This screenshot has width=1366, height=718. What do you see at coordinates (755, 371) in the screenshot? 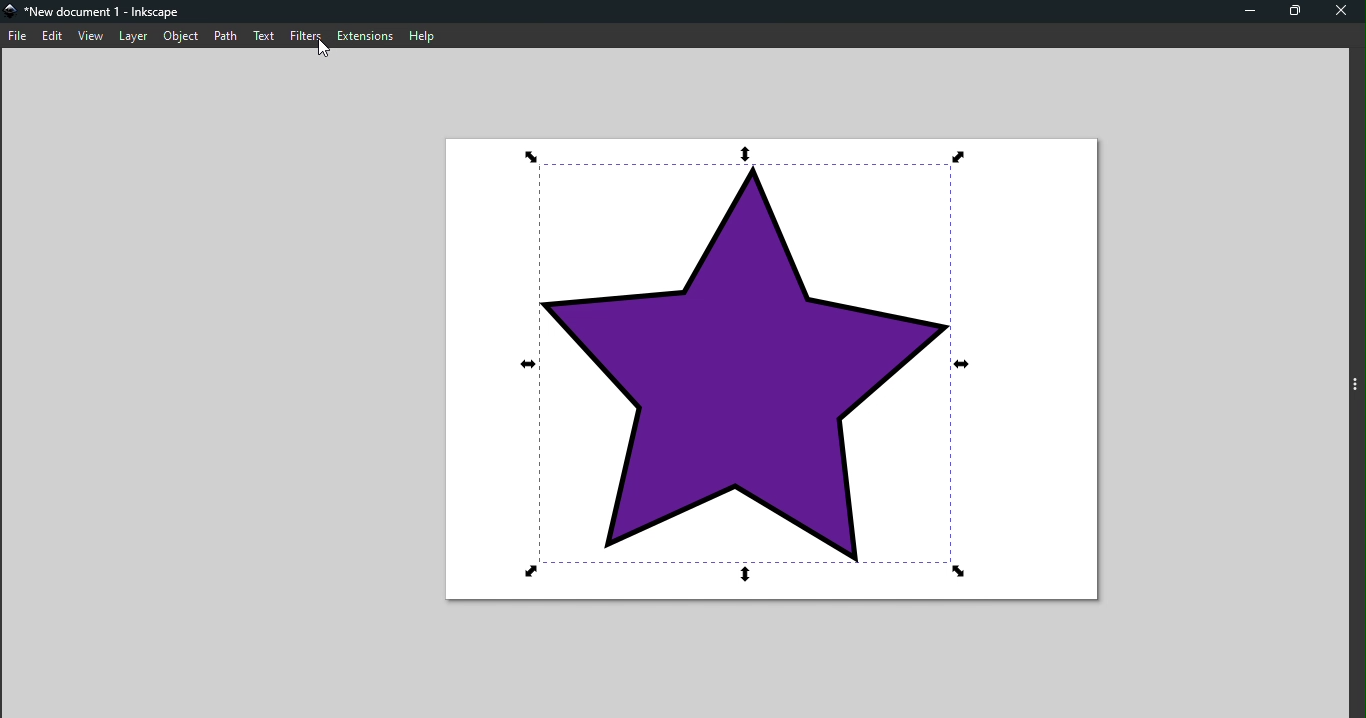
I see `Canvas` at bounding box center [755, 371].